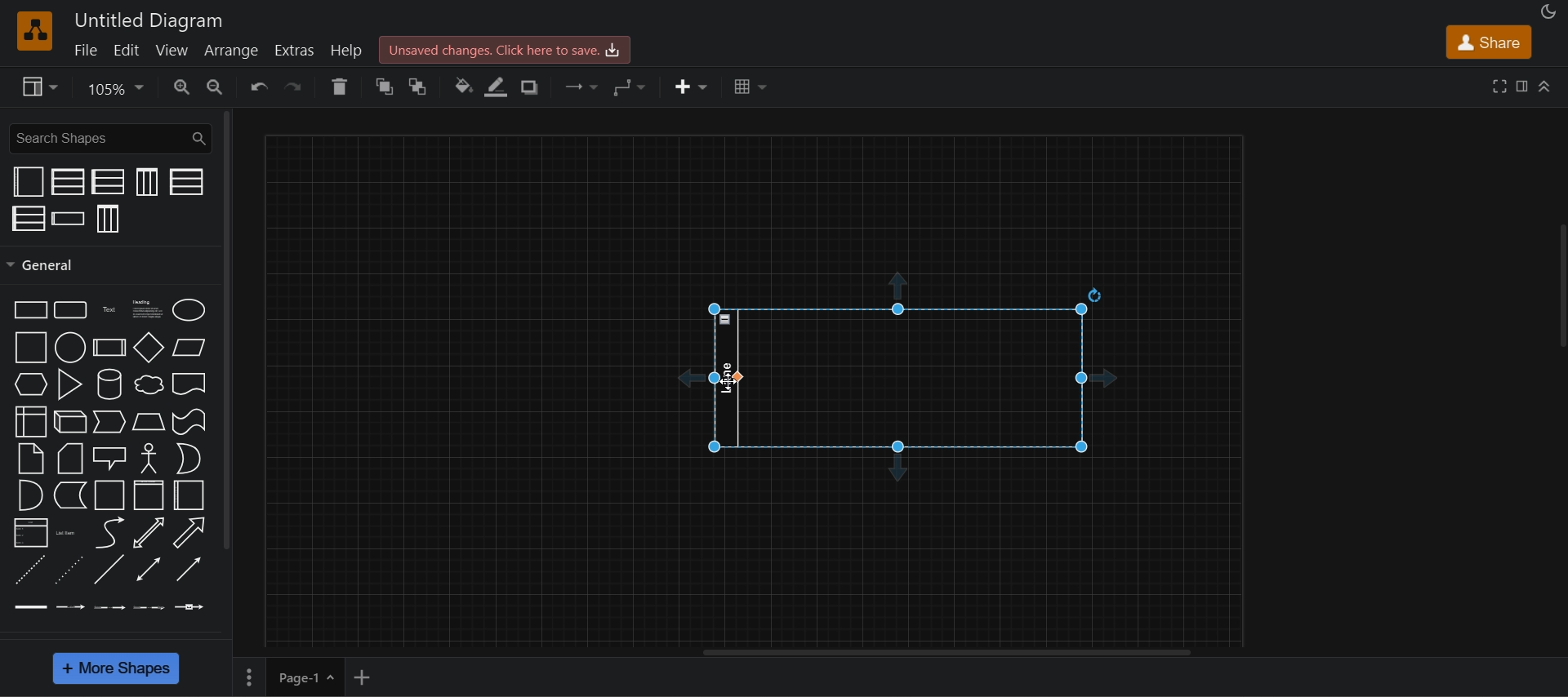 Image resolution: width=1568 pixels, height=697 pixels. Describe the element at coordinates (149, 495) in the screenshot. I see `vertical container` at that location.